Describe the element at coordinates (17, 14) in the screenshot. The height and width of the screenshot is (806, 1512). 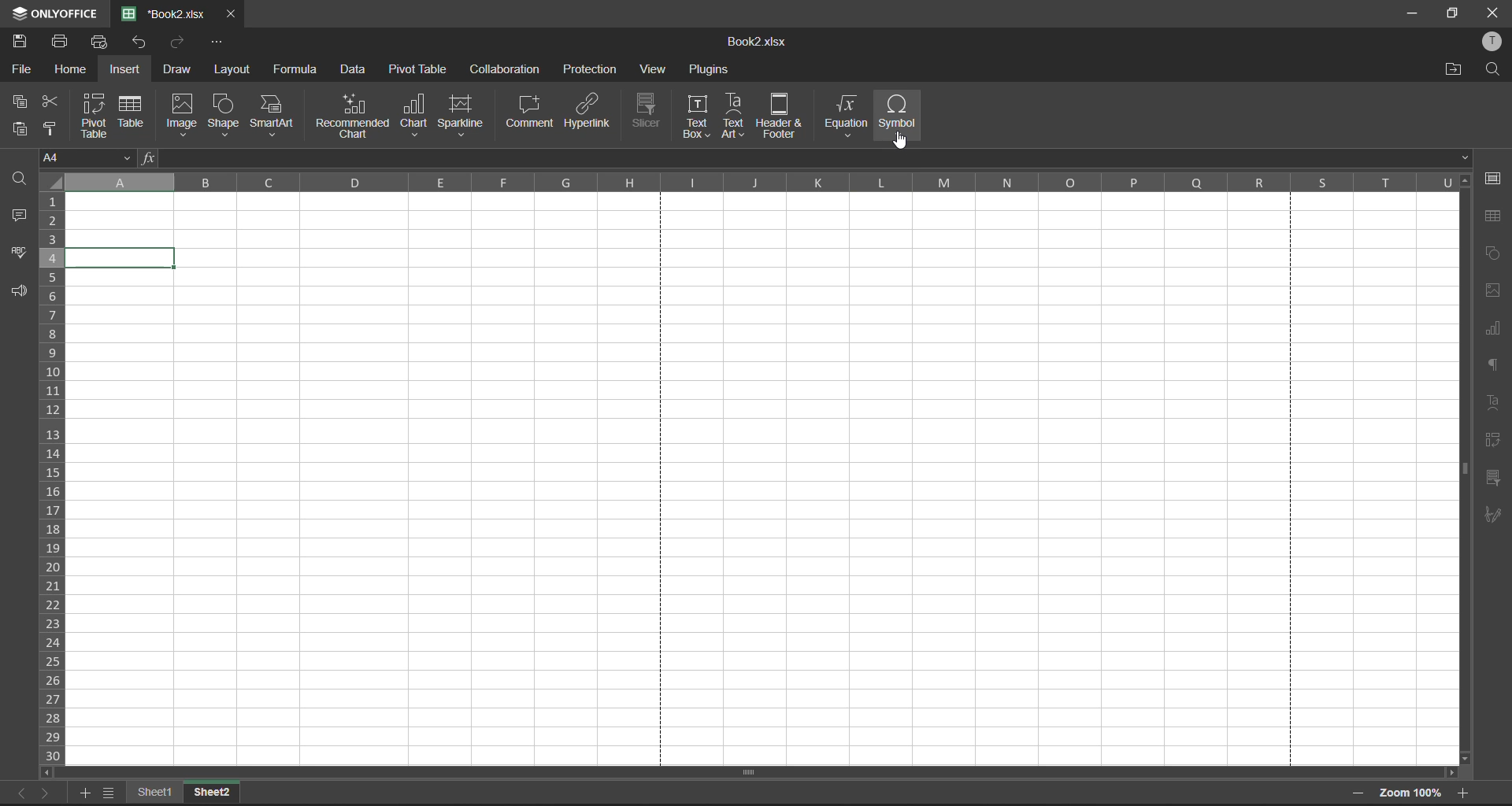
I see `icon` at that location.